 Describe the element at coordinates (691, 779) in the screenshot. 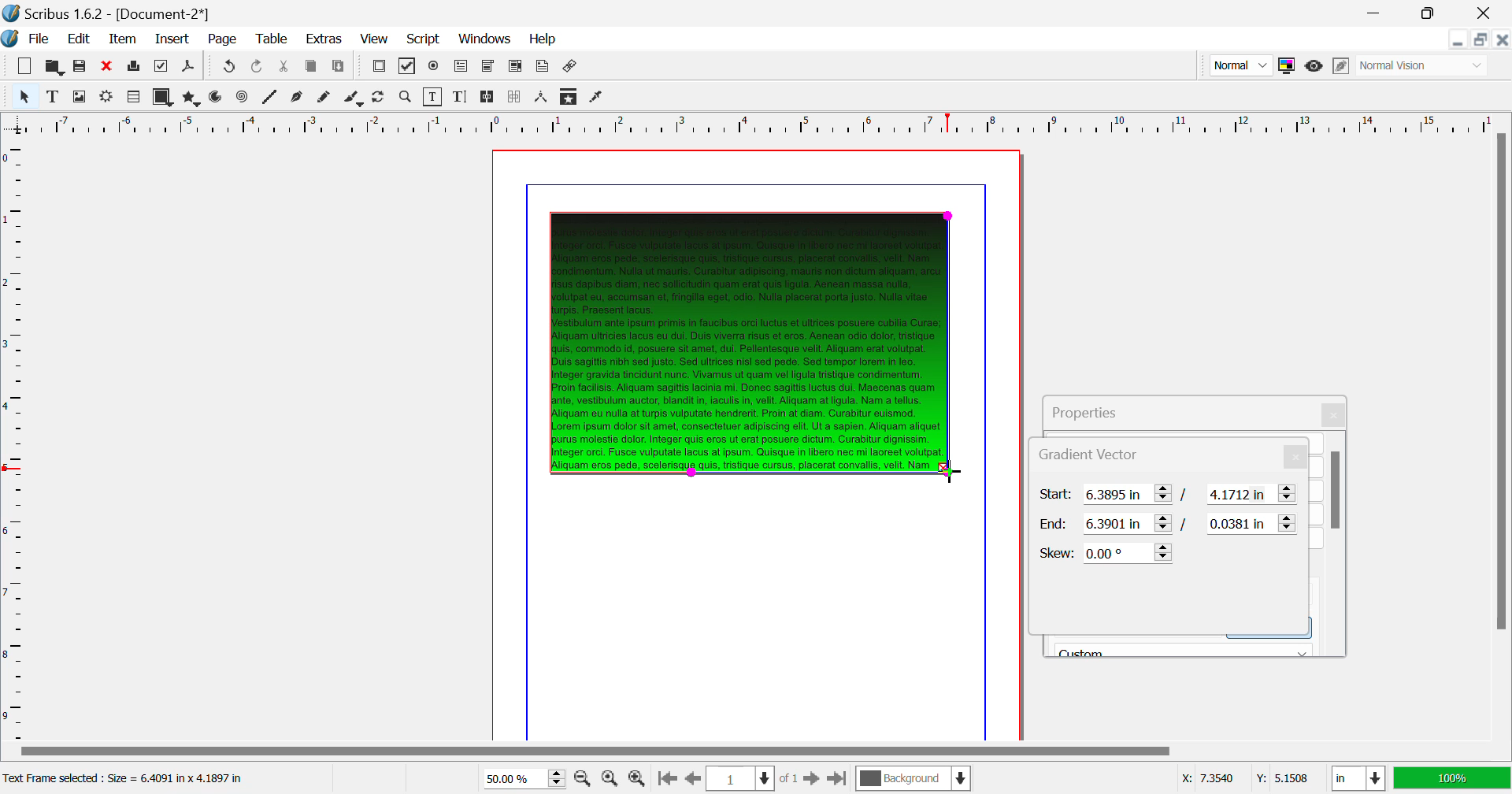

I see `Previous Page` at that location.